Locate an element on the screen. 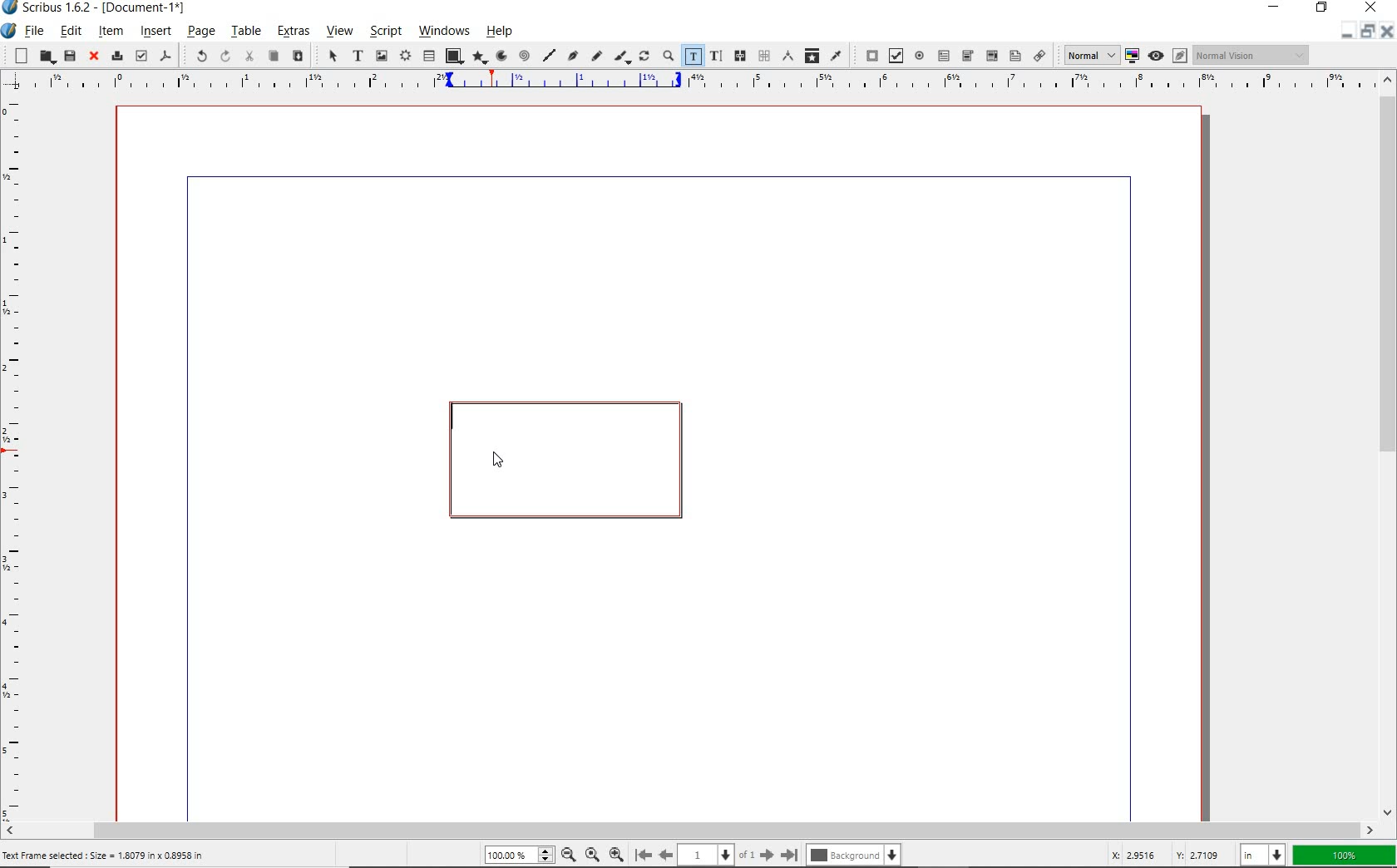  open is located at coordinates (45, 57).